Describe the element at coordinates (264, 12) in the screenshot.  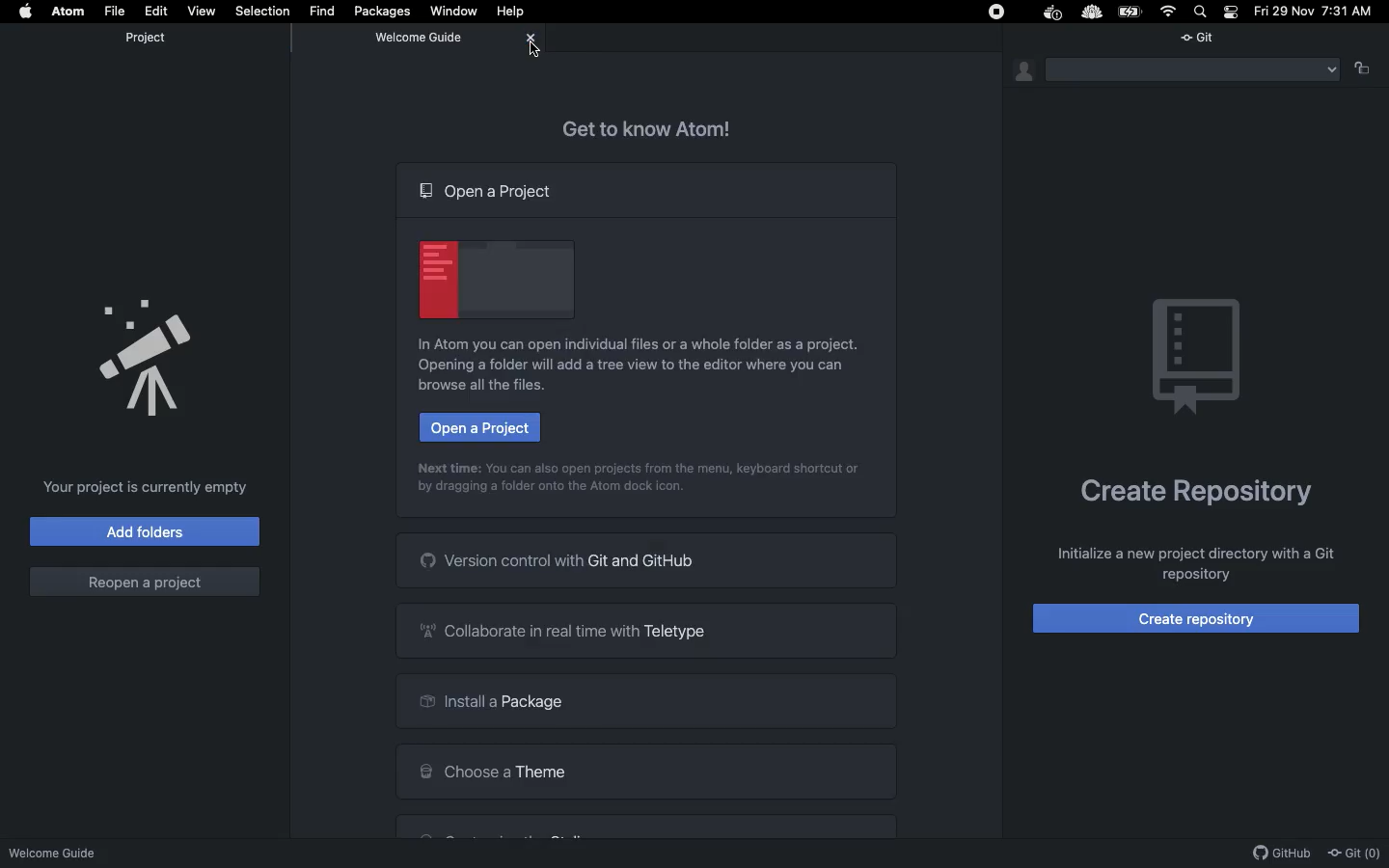
I see `Selection` at that location.